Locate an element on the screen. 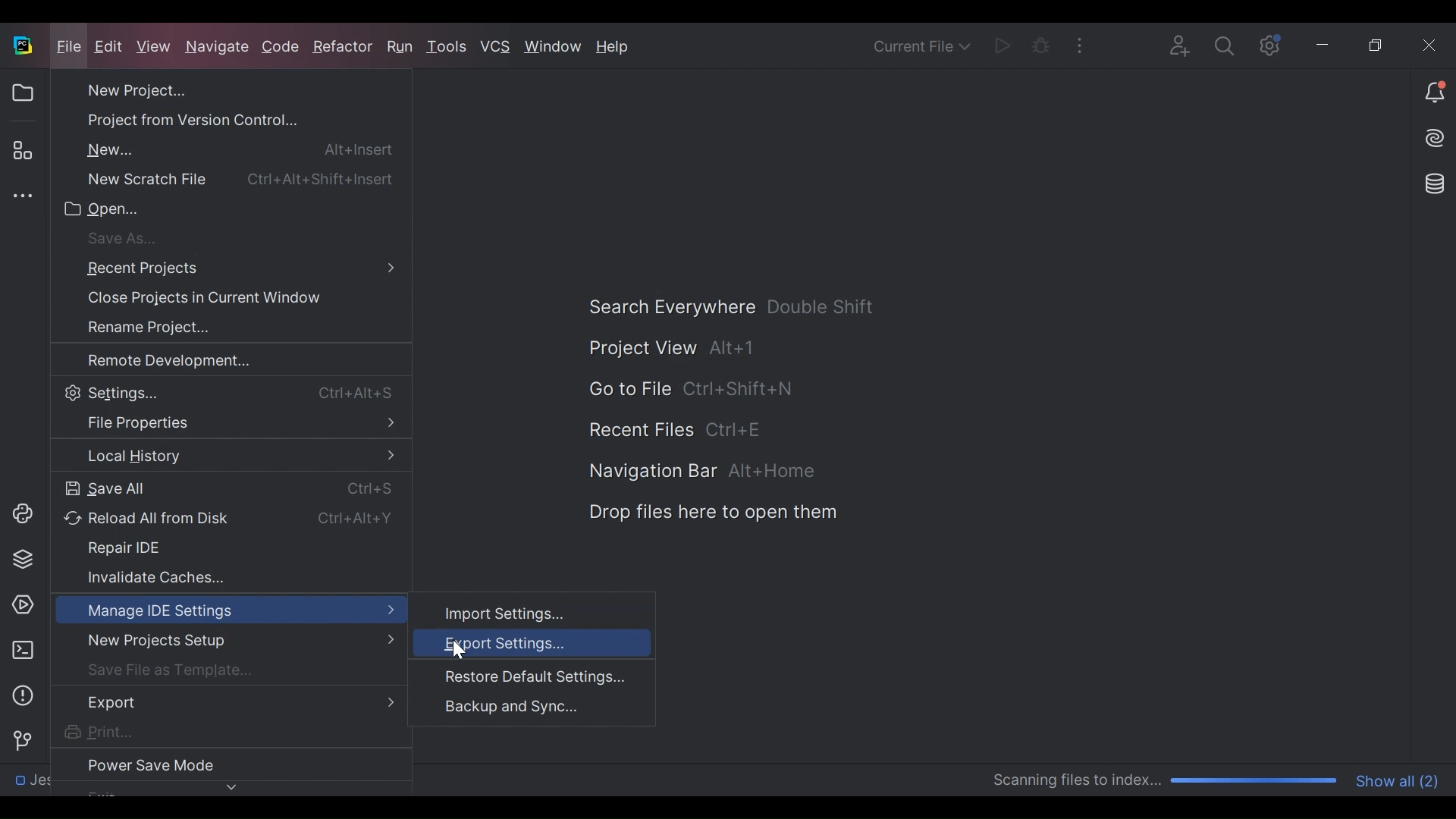 The image size is (1456, 819). Close Projects in Current Window is located at coordinates (206, 300).